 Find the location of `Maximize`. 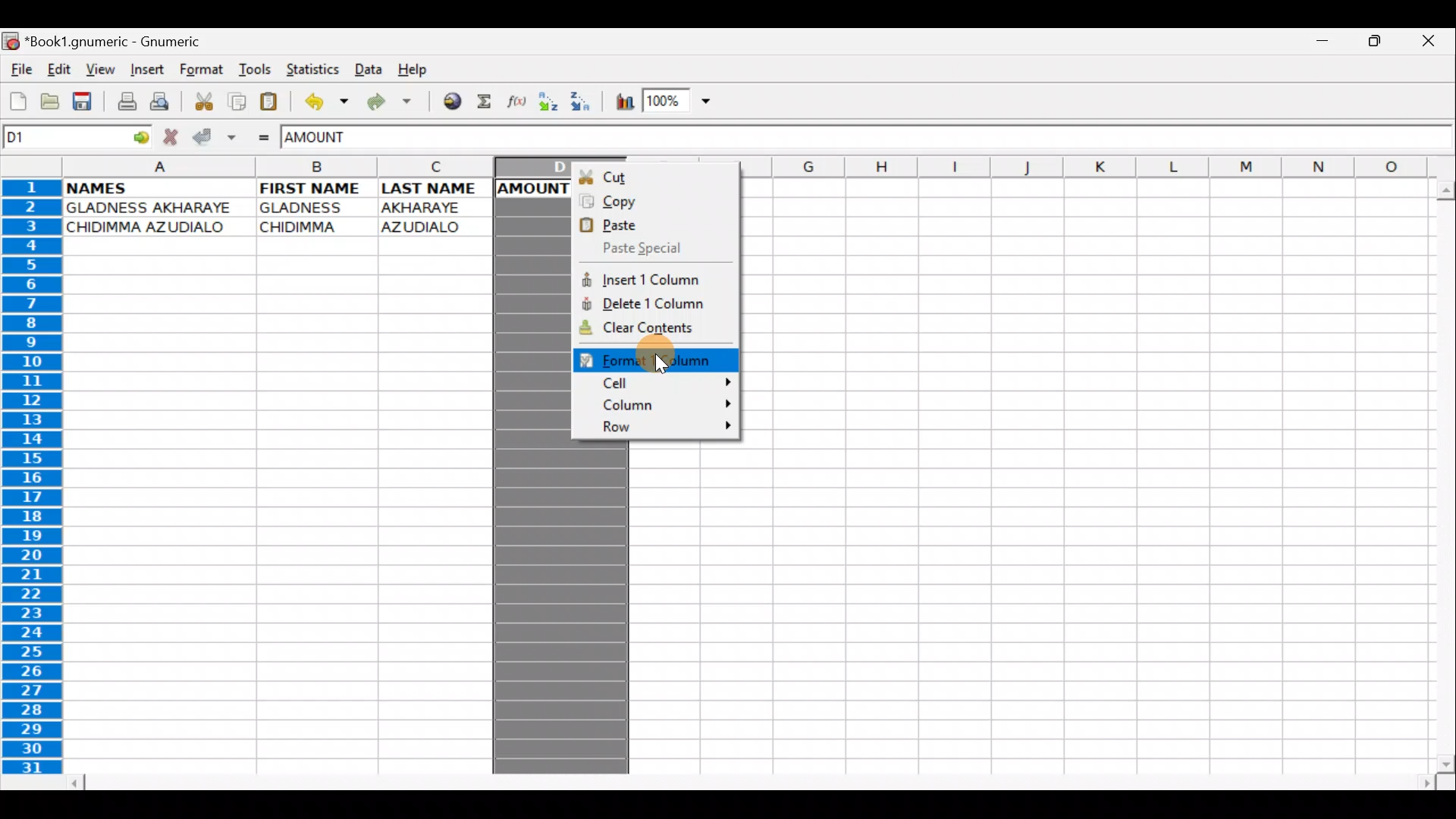

Maximize is located at coordinates (1375, 45).